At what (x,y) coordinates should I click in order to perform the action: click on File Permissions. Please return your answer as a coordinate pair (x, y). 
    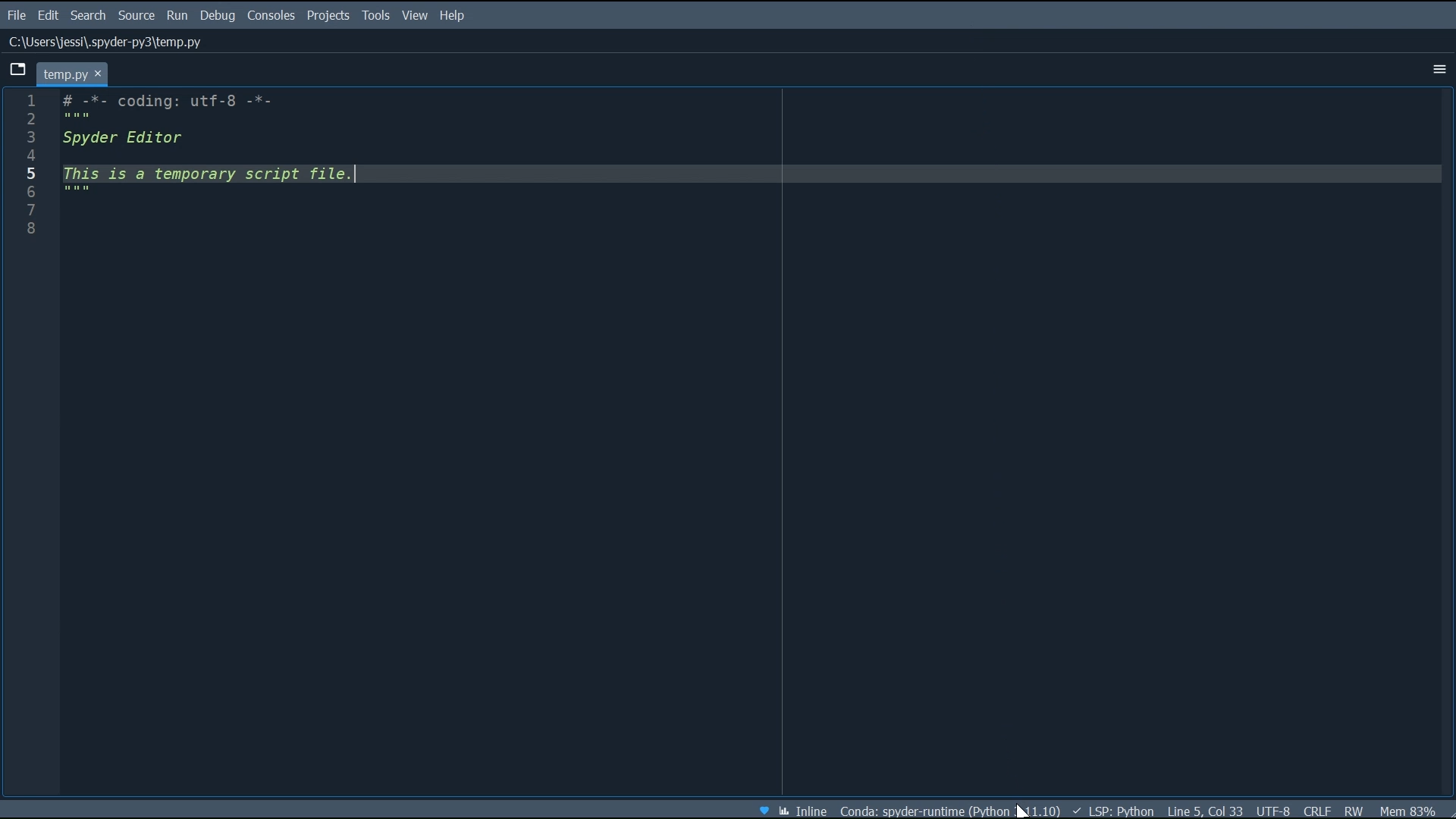
    Looking at the image, I should click on (1357, 810).